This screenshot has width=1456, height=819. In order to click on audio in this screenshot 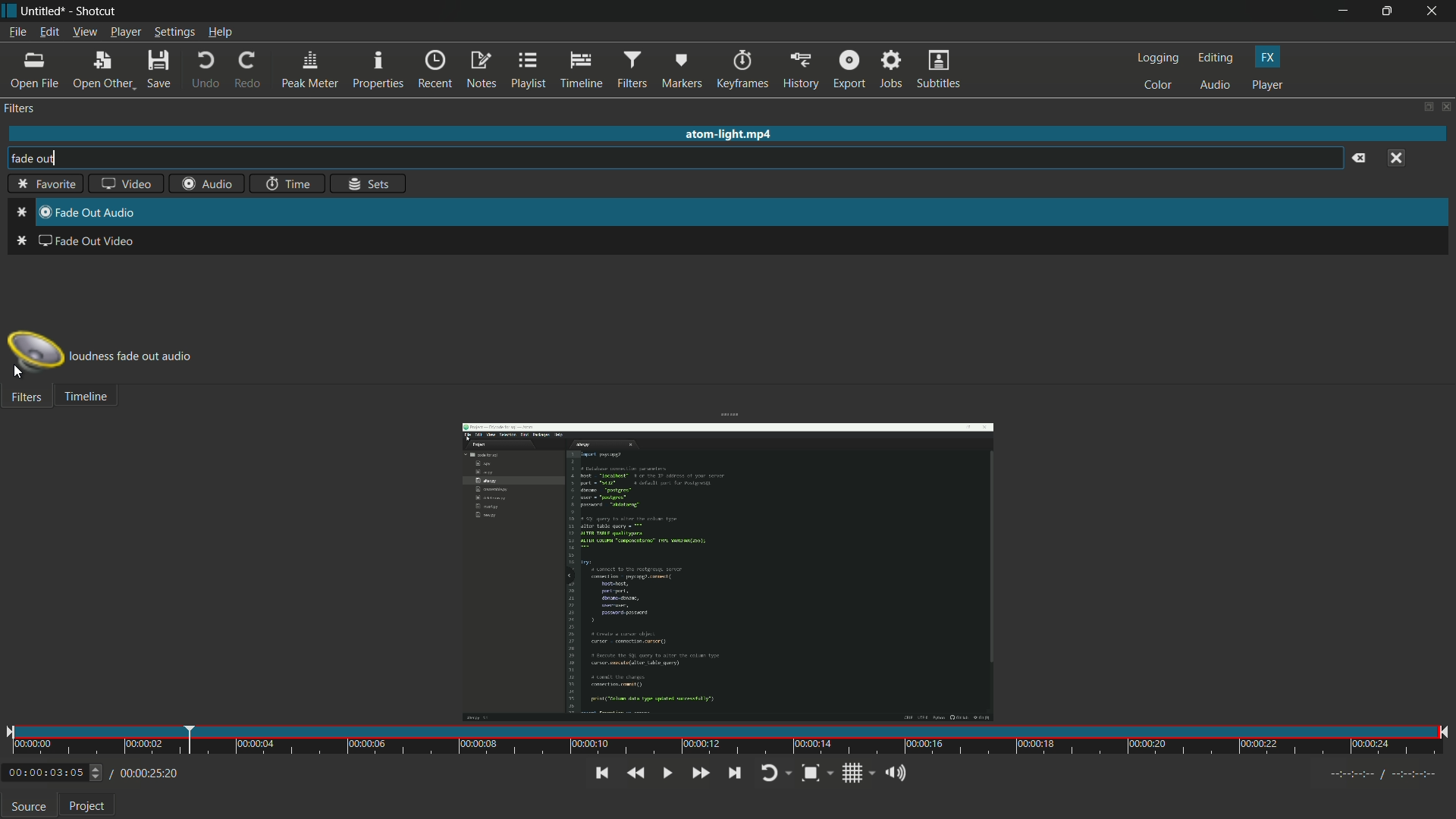, I will do `click(209, 184)`.